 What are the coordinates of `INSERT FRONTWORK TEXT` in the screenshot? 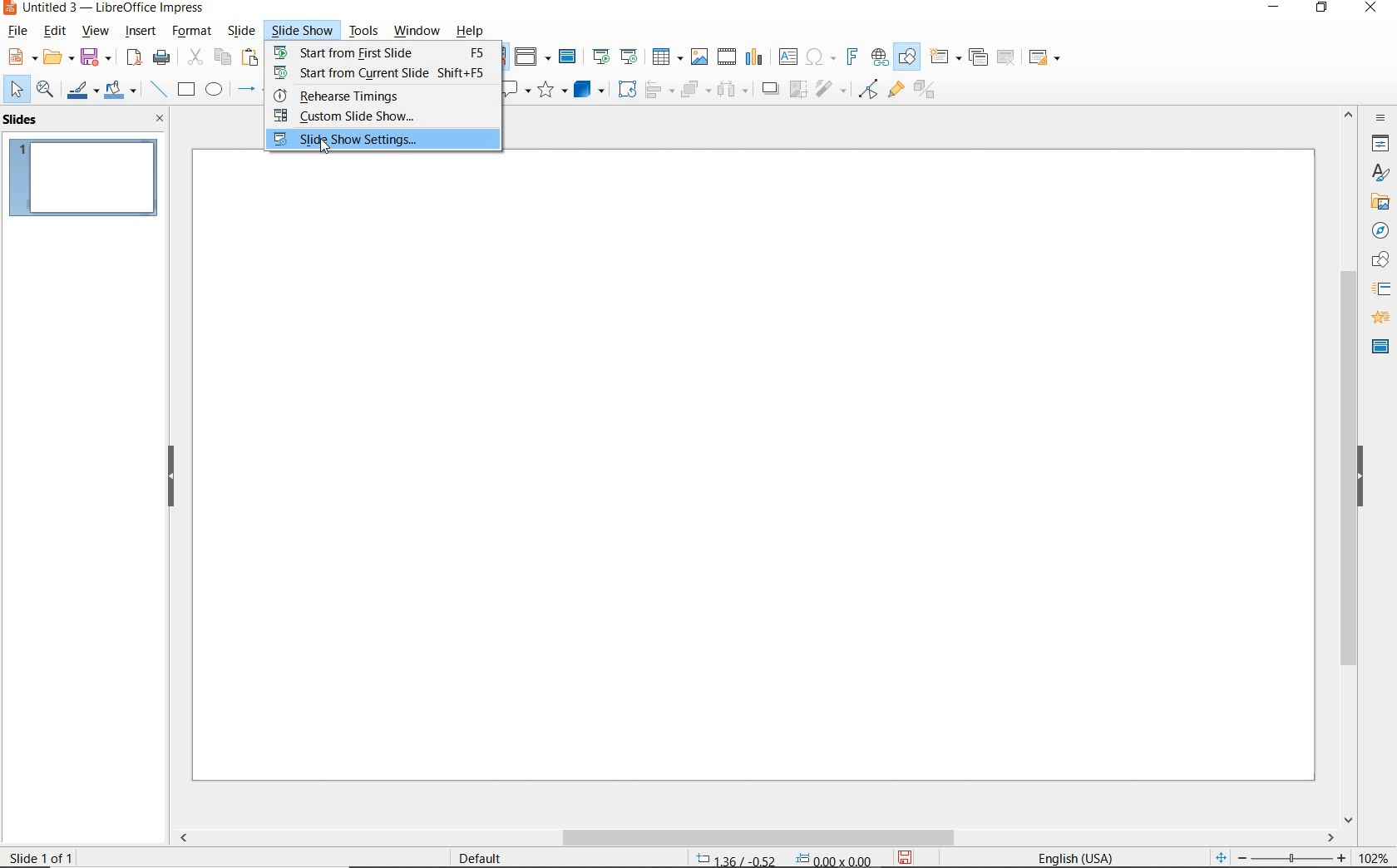 It's located at (850, 55).